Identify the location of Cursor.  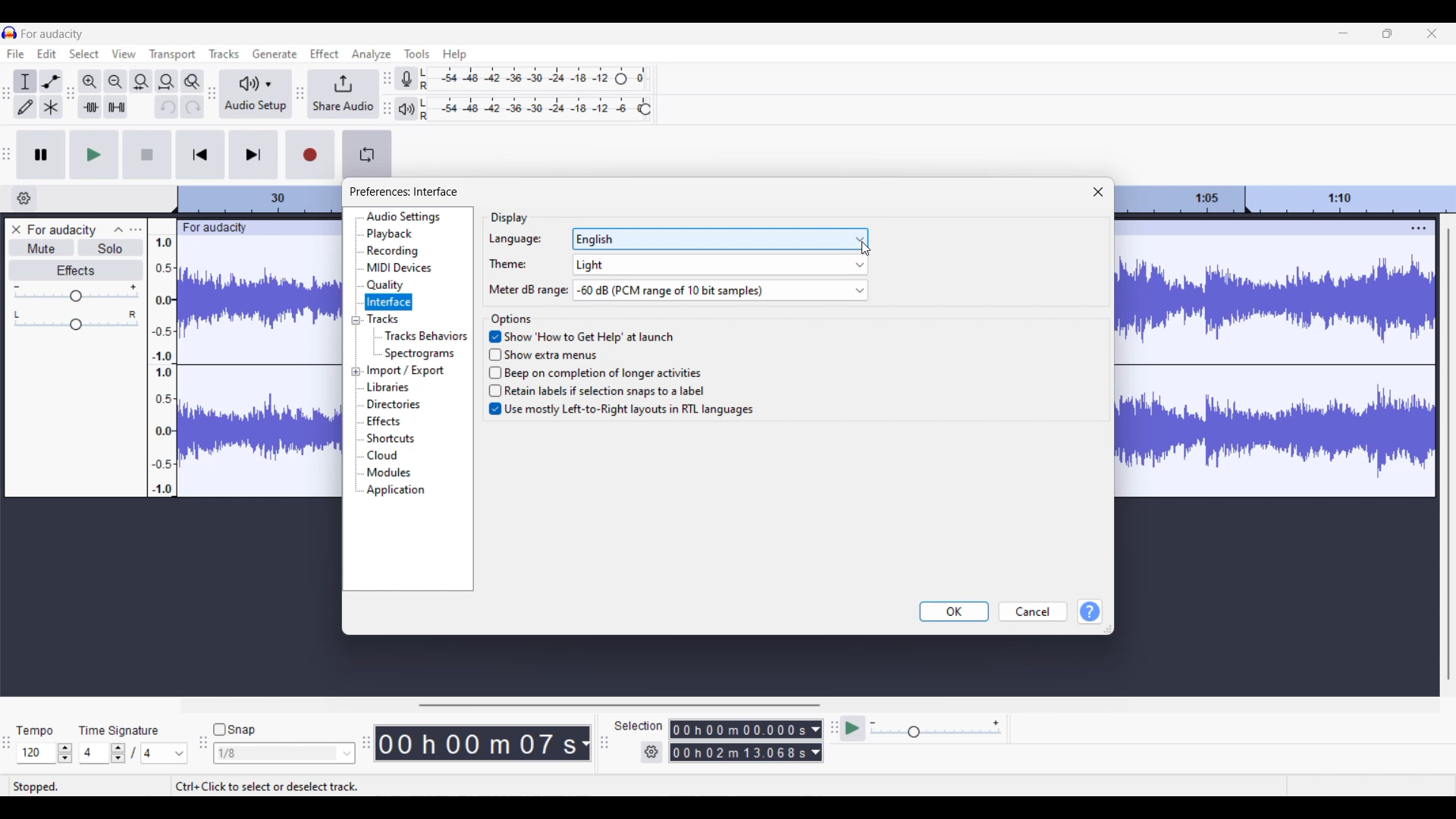
(868, 249).